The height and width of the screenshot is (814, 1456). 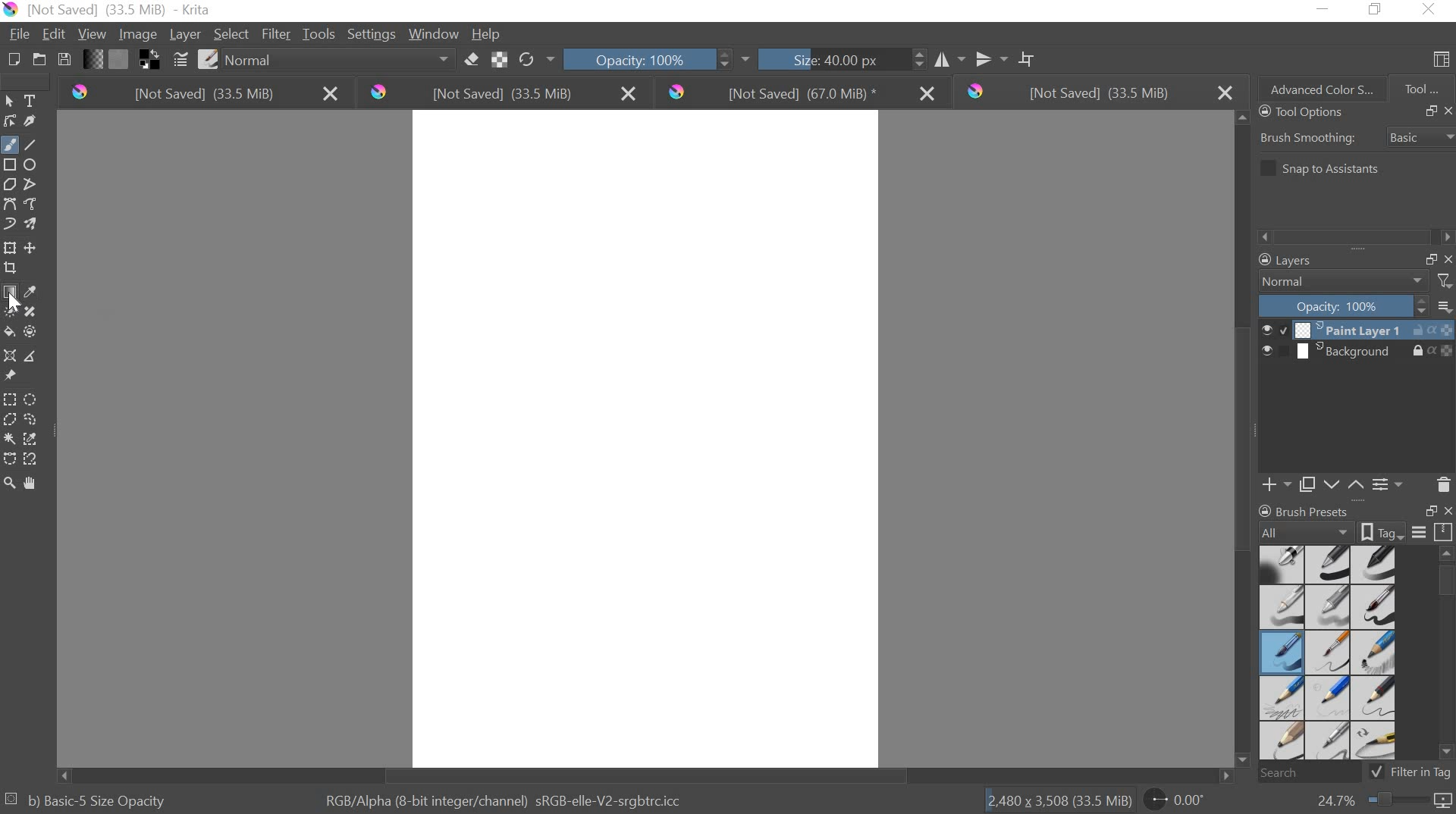 I want to click on RGB/alpha (8 bit integer/channel) srgb elle v2 srgbttrc.icc, so click(x=505, y=797).